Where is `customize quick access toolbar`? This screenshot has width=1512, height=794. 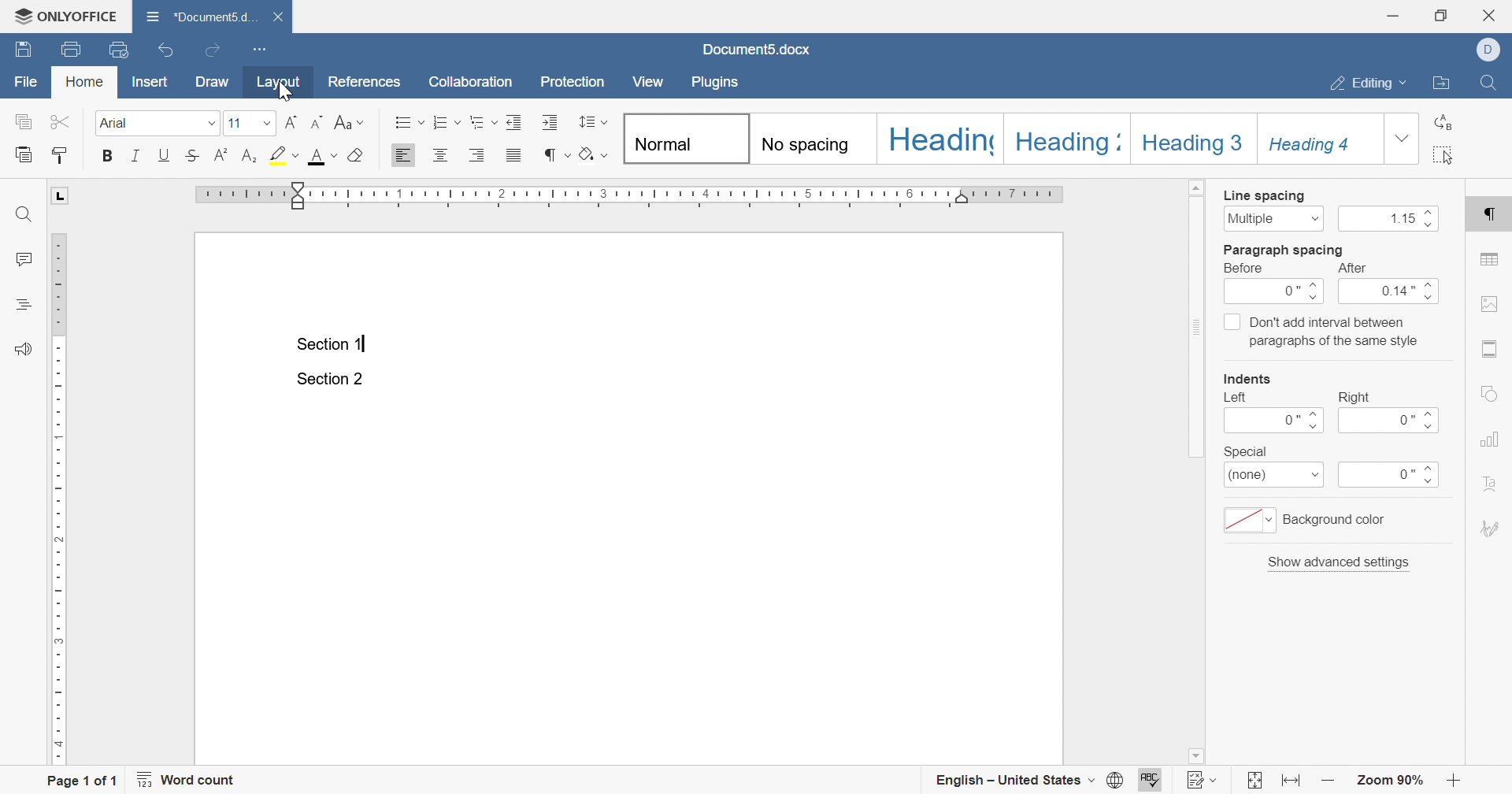
customize quick access toolbar is located at coordinates (262, 50).